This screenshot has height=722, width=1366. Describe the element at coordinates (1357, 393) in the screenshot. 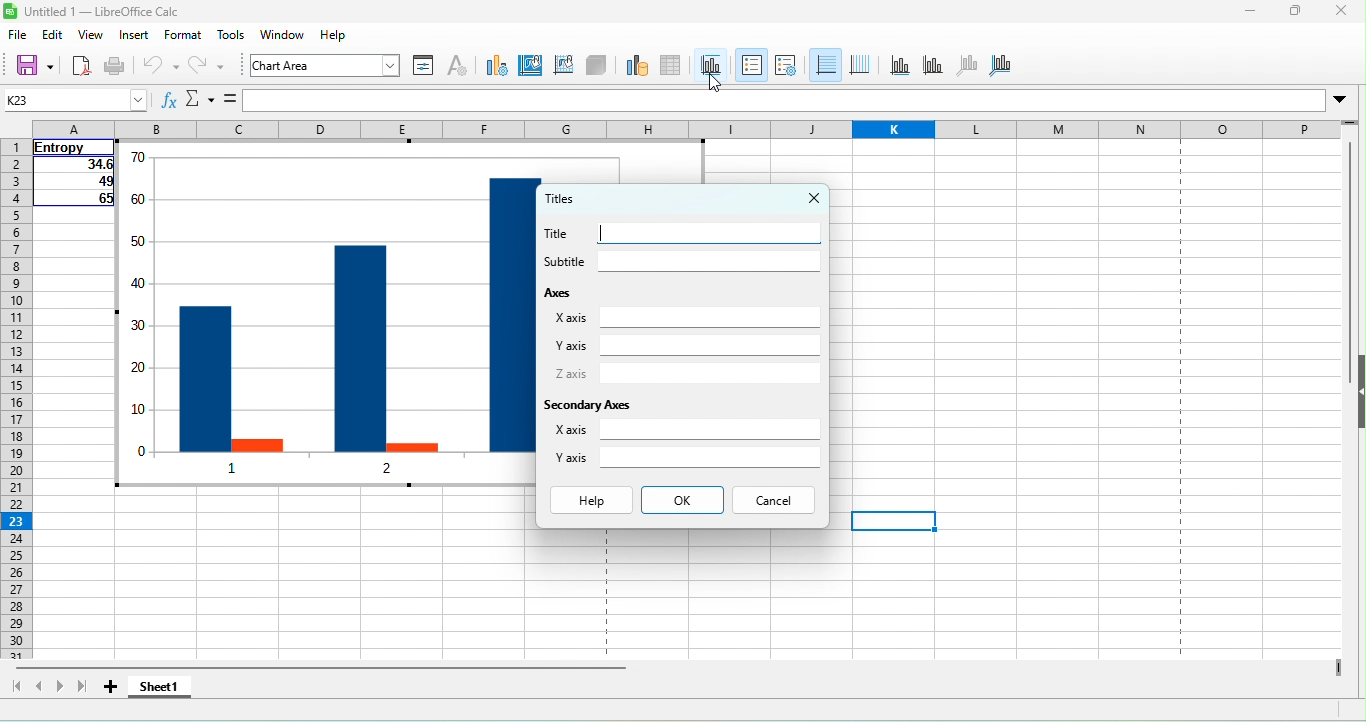

I see `height` at that location.